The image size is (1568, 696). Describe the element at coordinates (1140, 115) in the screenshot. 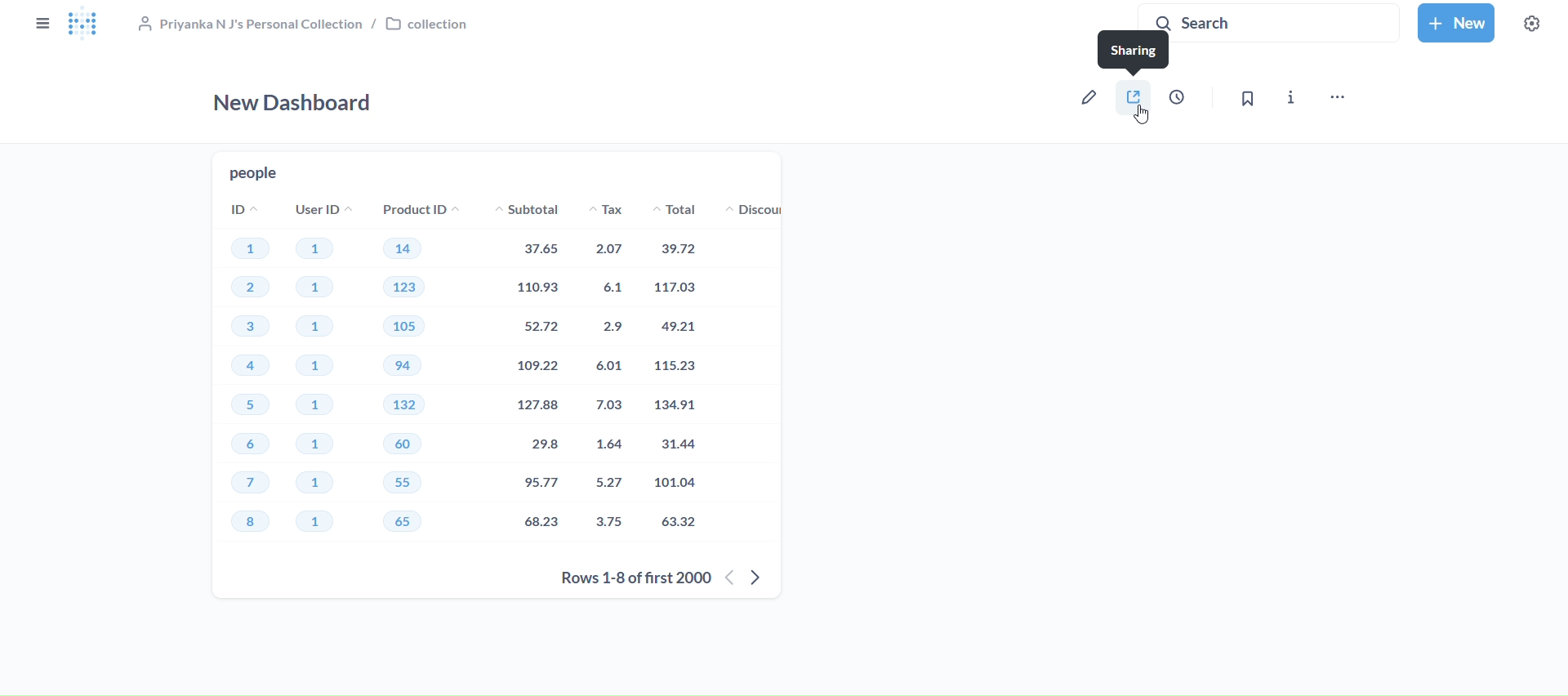

I see `cursor` at that location.